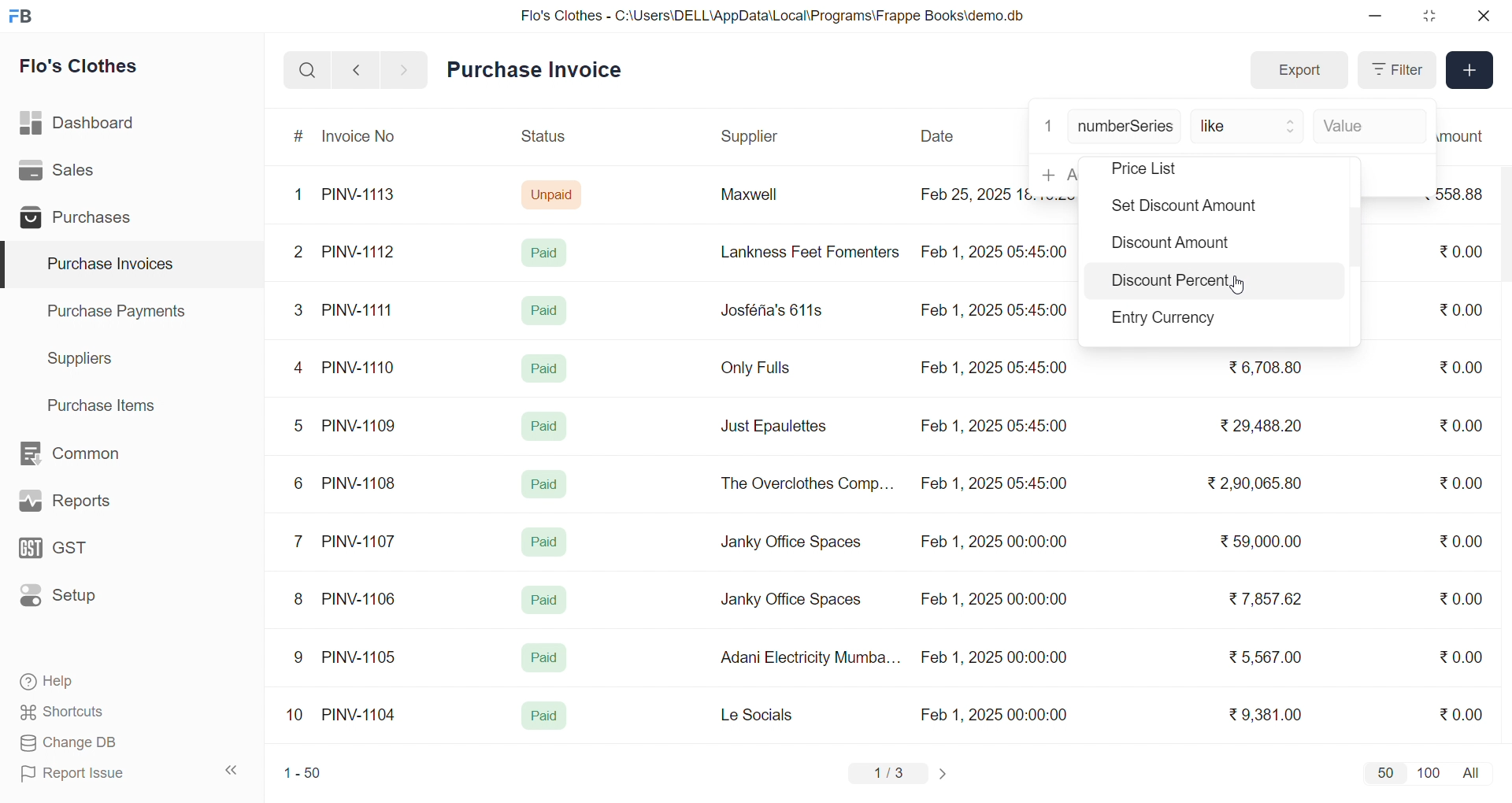 Image resolution: width=1512 pixels, height=803 pixels. What do you see at coordinates (98, 773) in the screenshot?
I see `Report Issue` at bounding box center [98, 773].